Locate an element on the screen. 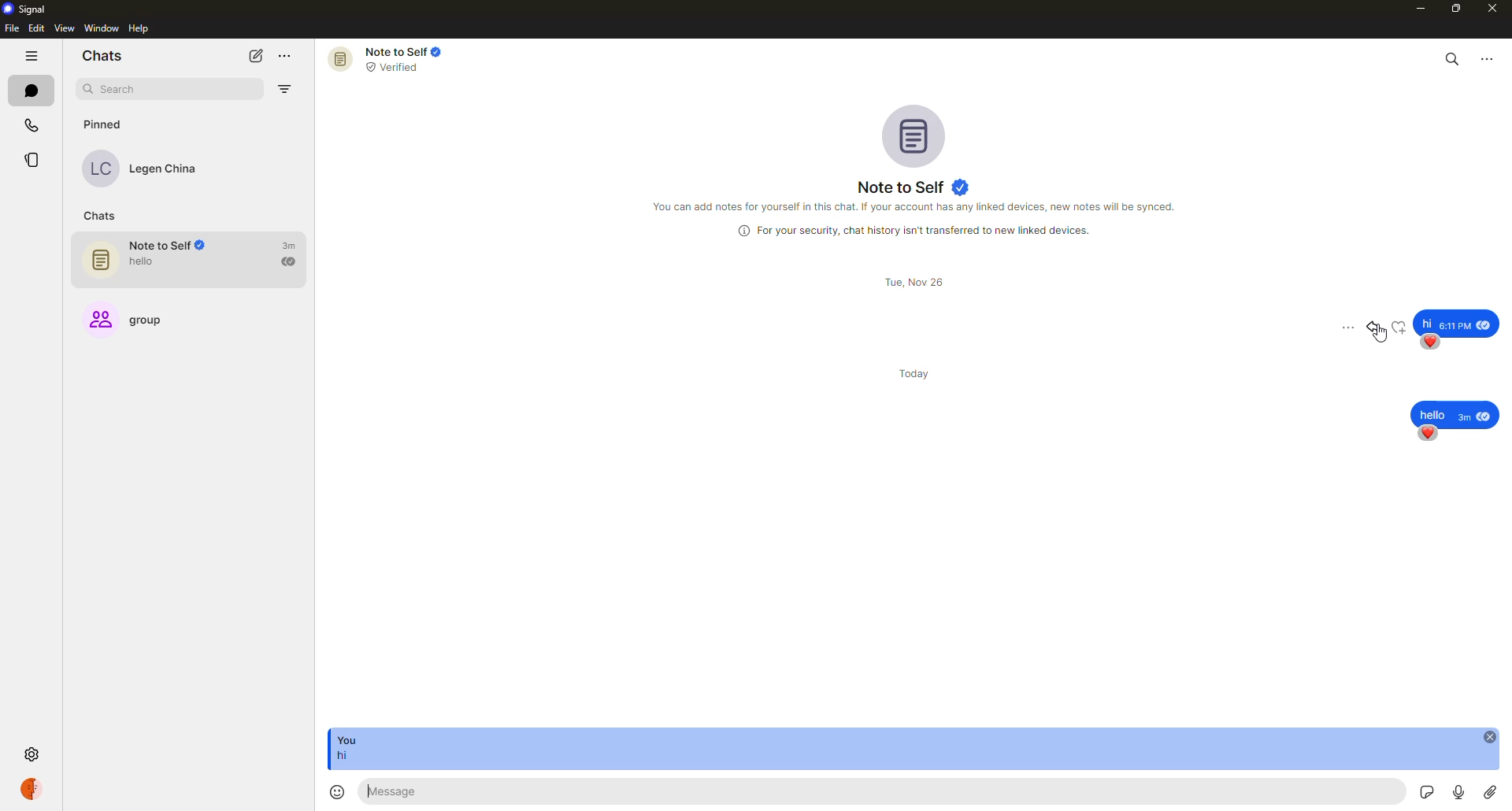  more is located at coordinates (1347, 327).